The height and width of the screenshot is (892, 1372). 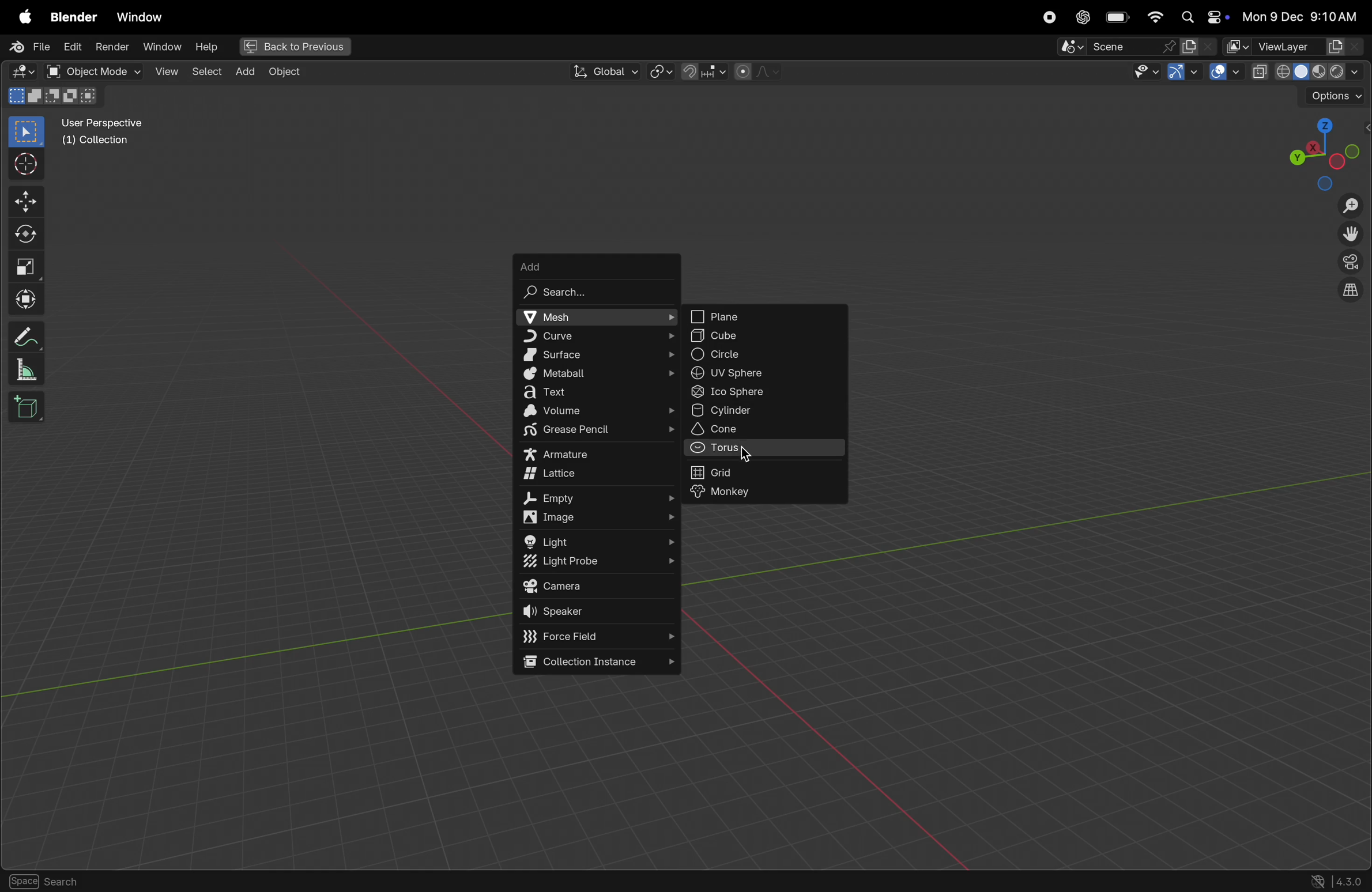 I want to click on light, so click(x=599, y=541).